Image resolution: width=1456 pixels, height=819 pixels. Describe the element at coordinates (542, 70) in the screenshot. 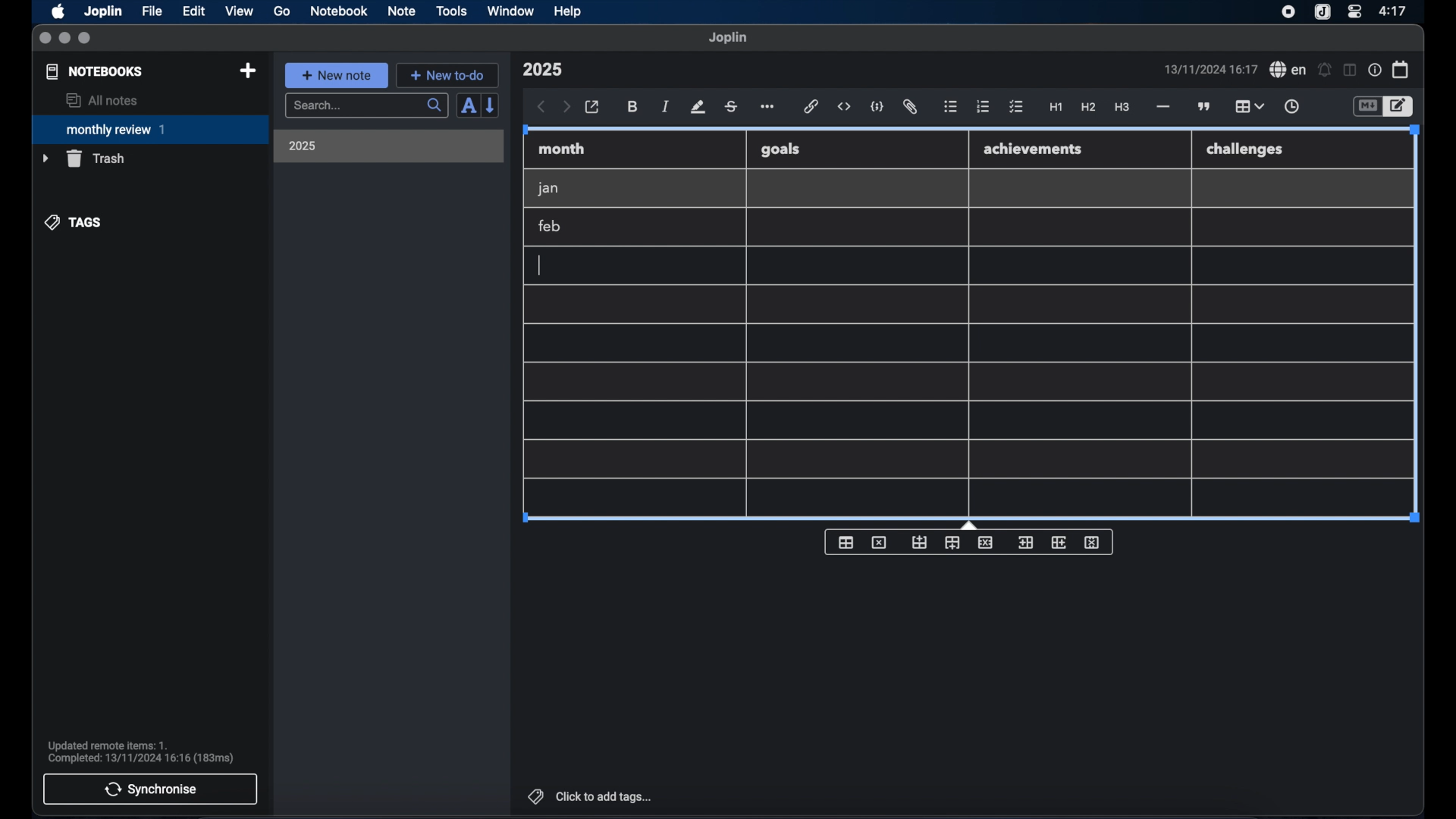

I see `note title` at that location.